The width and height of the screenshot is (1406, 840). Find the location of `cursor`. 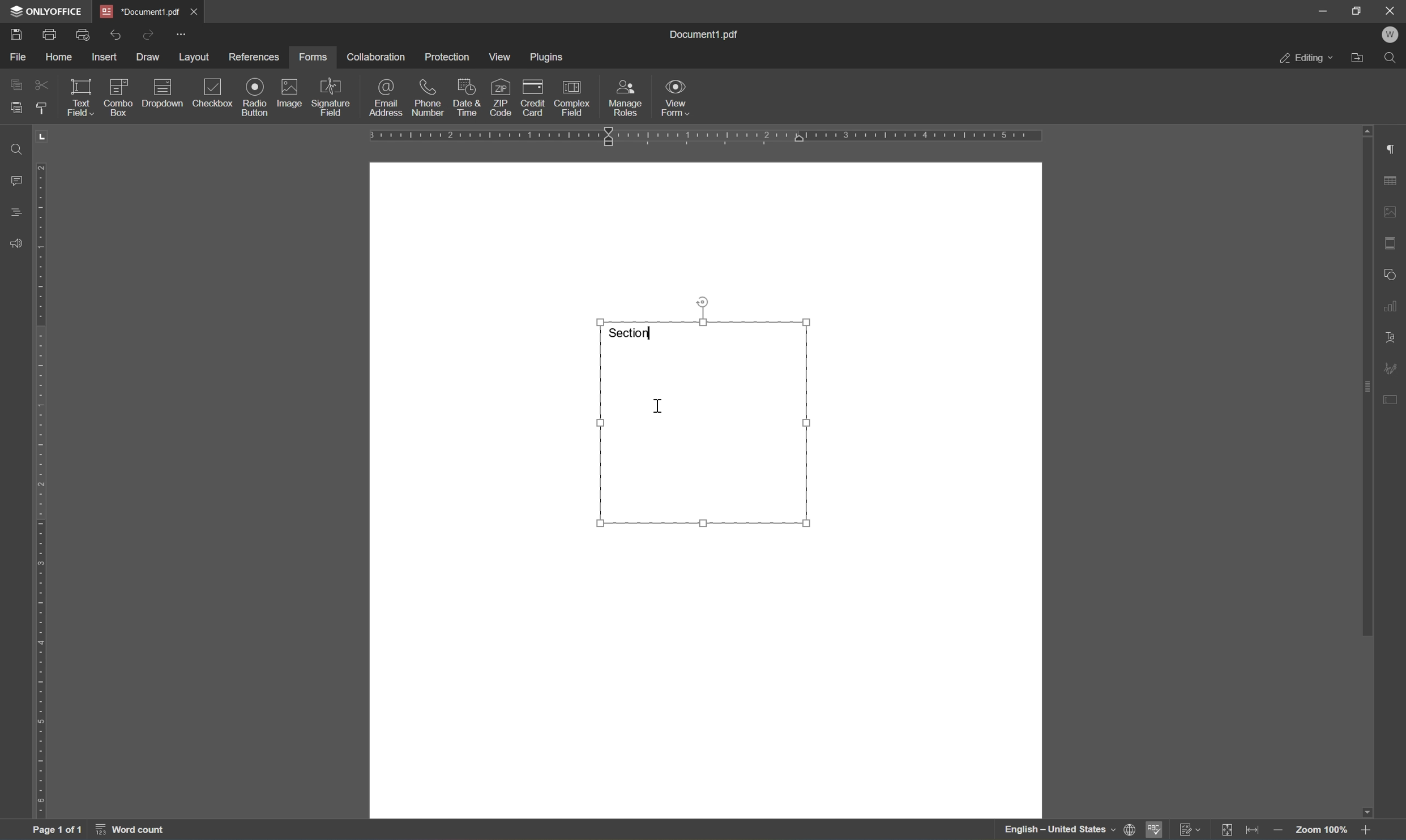

cursor is located at coordinates (660, 406).